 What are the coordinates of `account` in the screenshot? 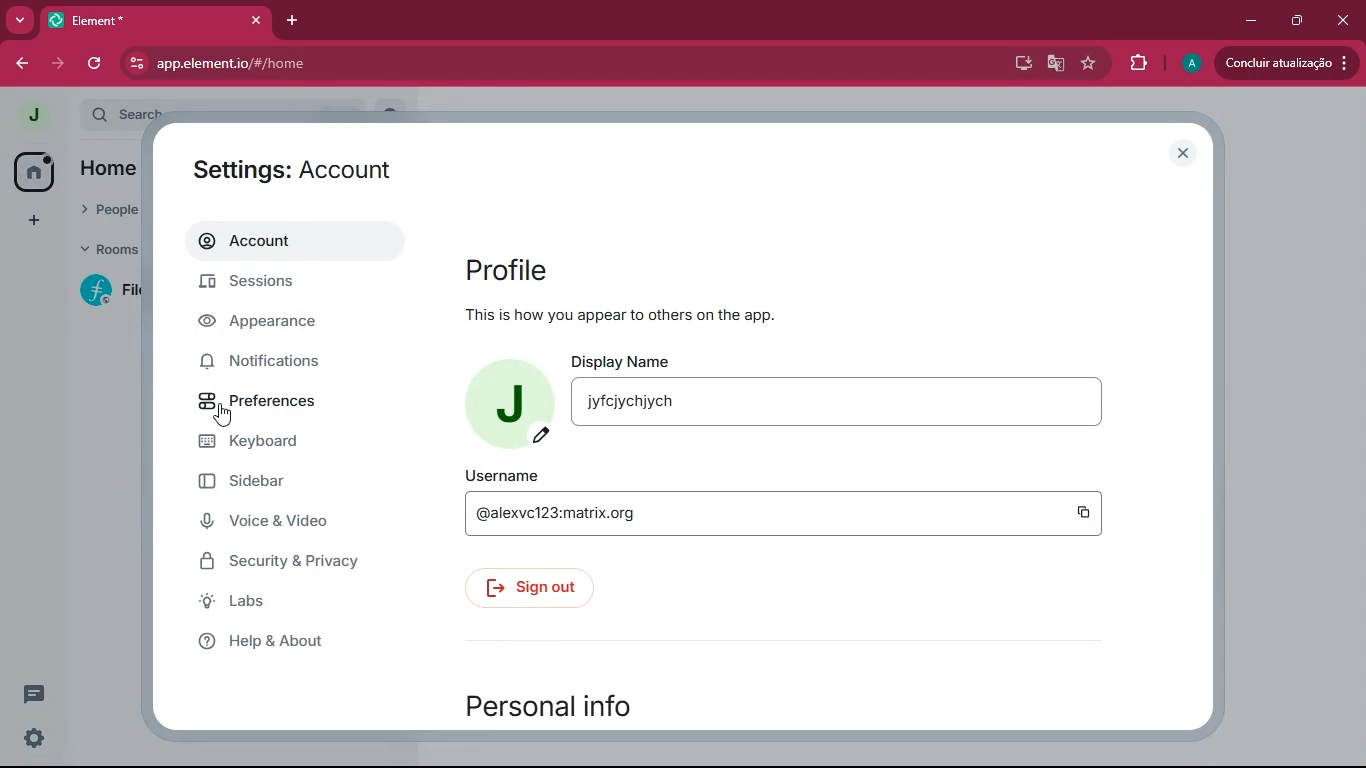 It's located at (292, 240).